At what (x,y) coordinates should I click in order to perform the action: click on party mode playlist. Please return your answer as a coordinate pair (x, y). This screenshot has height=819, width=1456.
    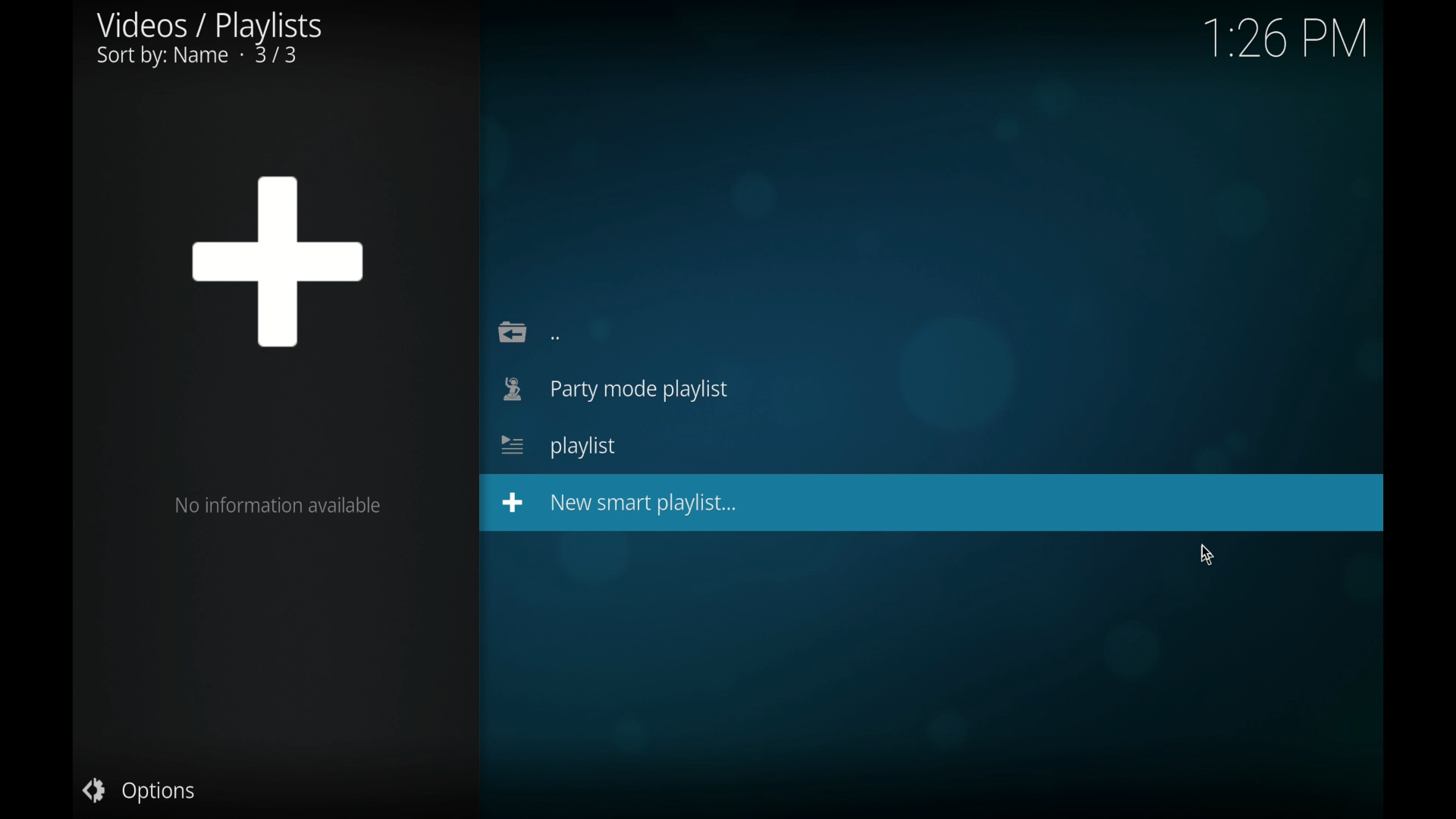
    Looking at the image, I should click on (616, 390).